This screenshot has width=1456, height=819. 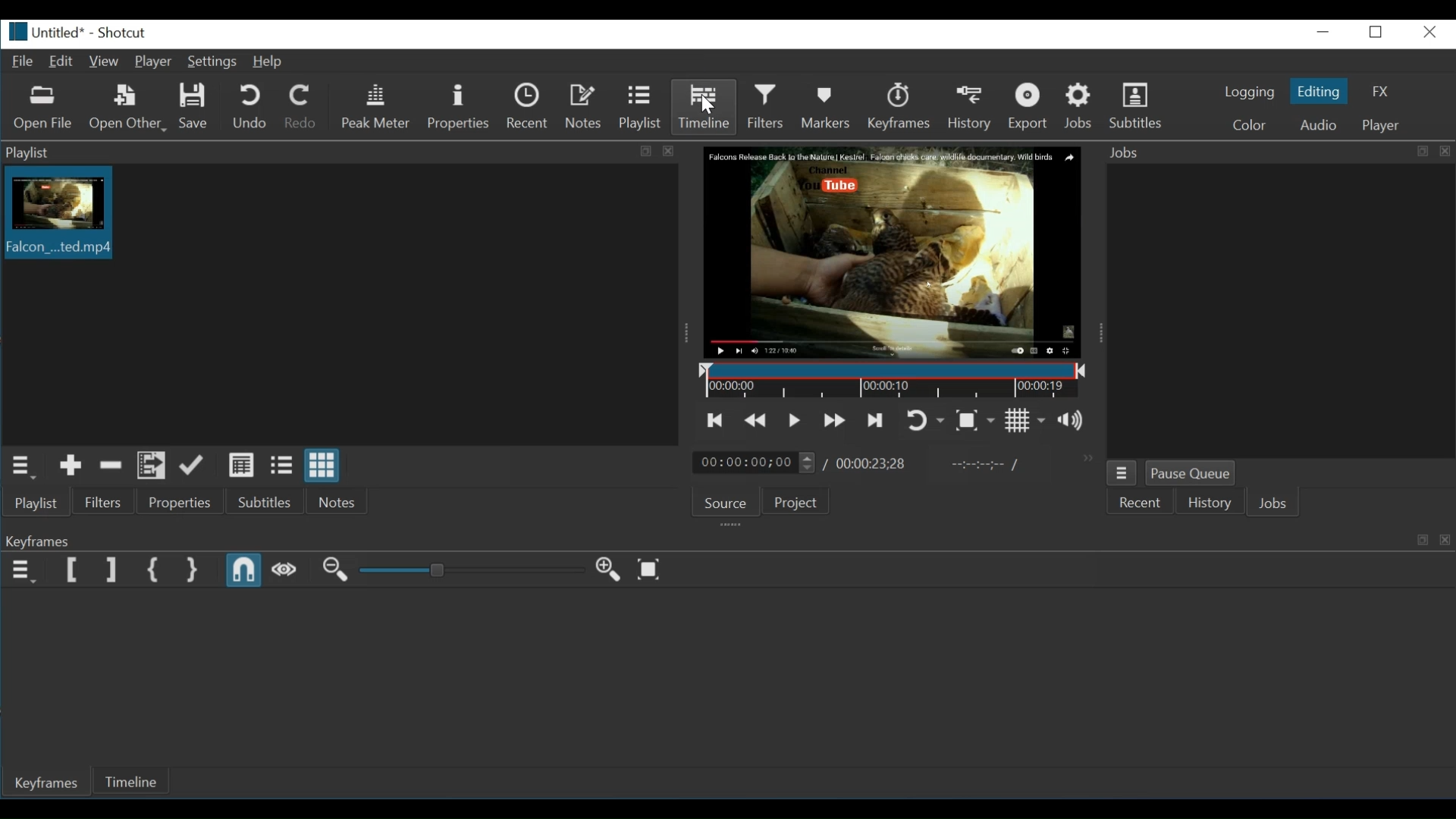 I want to click on Minimize, so click(x=1325, y=32).